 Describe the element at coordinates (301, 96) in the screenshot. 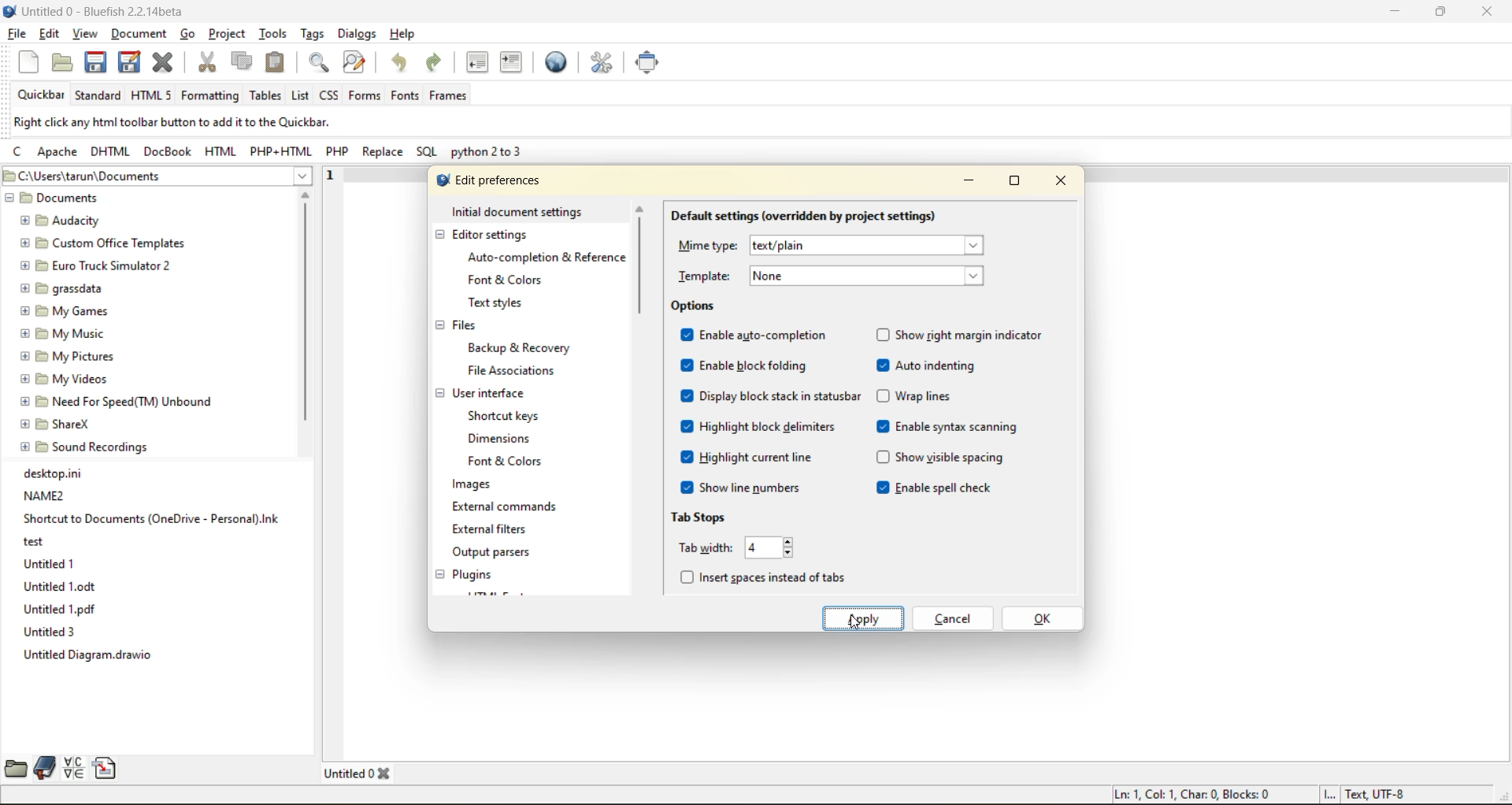

I see `list` at that location.